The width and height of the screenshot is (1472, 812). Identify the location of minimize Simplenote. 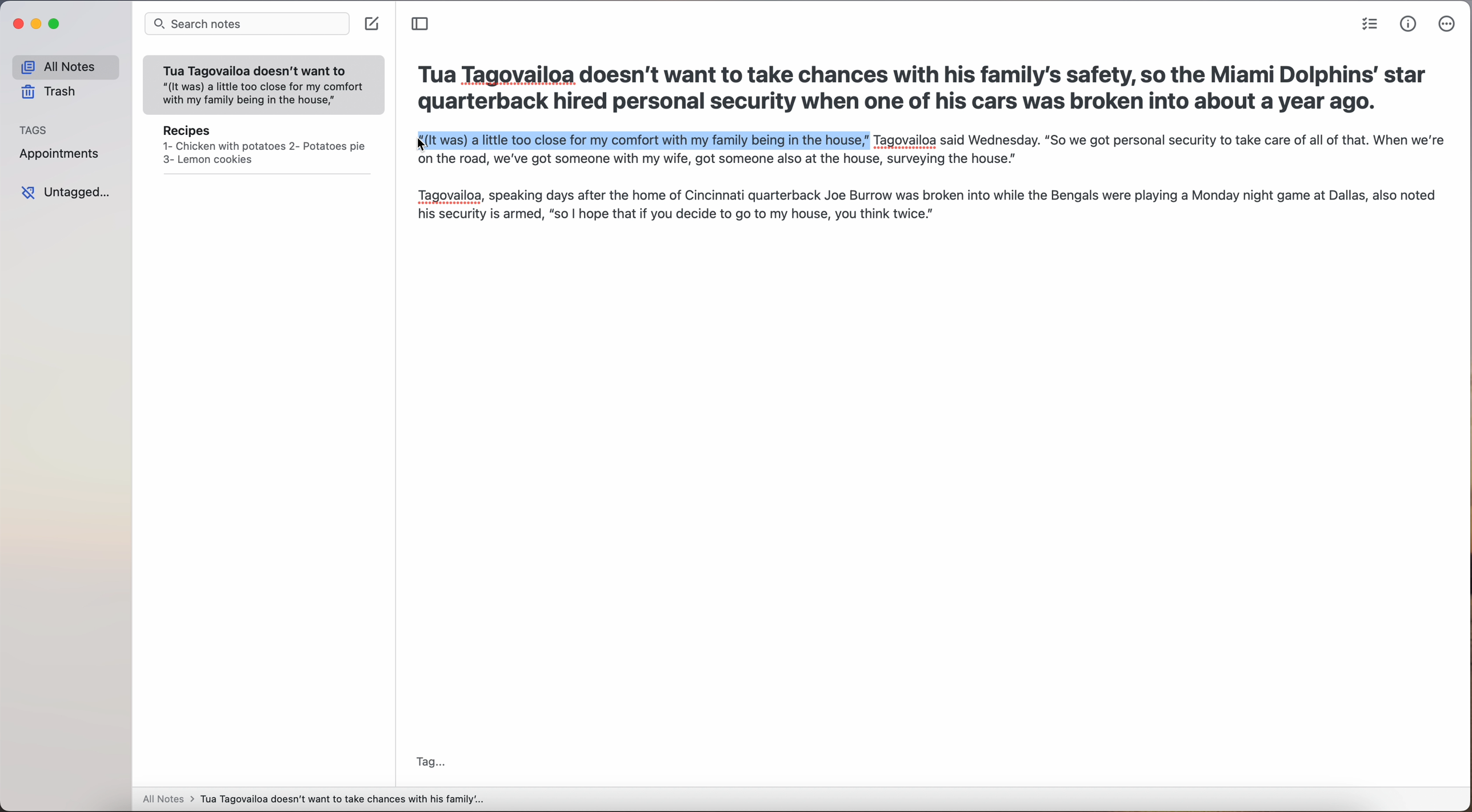
(38, 24).